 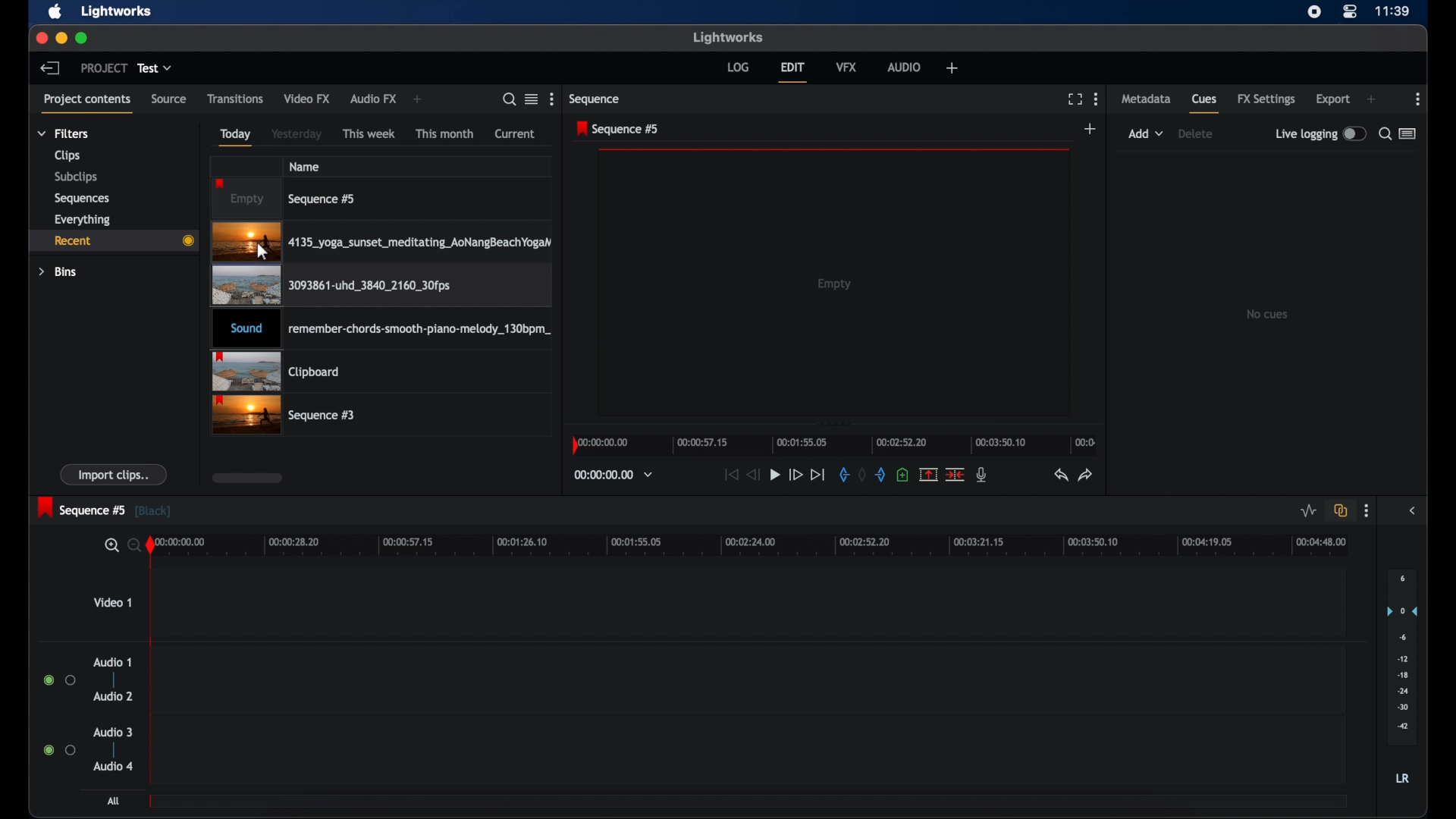 What do you see at coordinates (516, 133) in the screenshot?
I see `current` at bounding box center [516, 133].